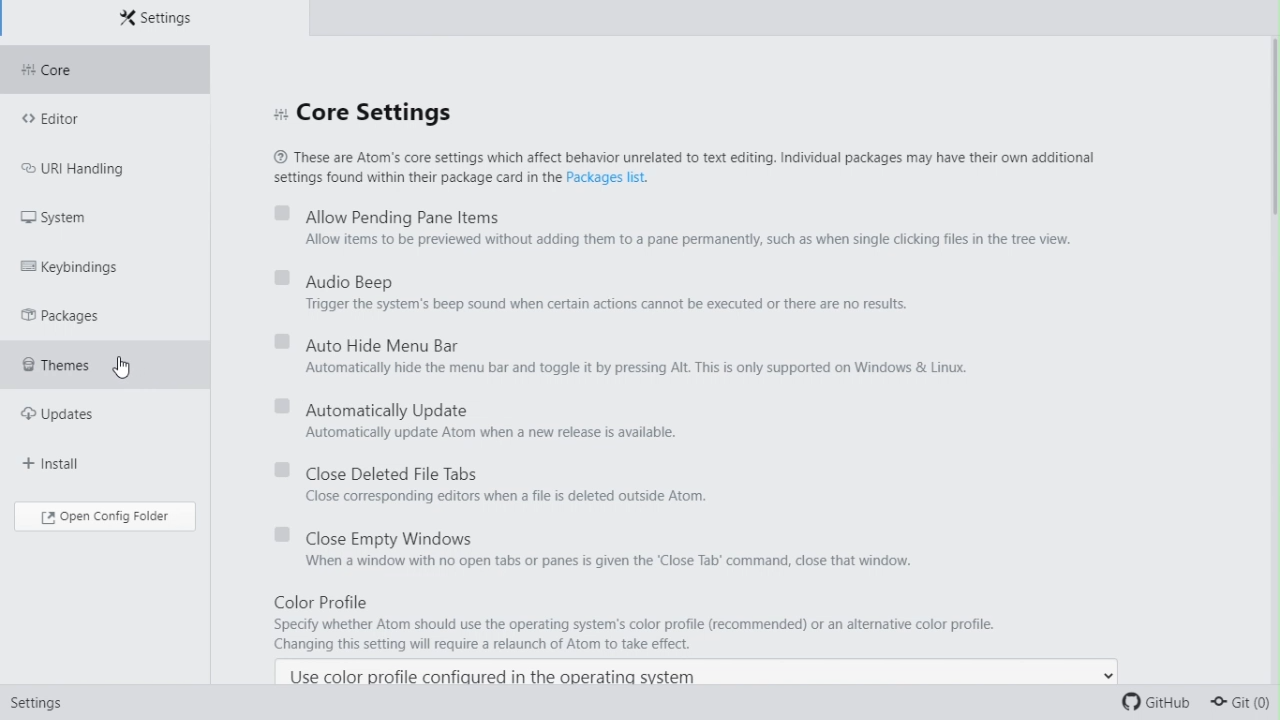  I want to click on Audio Beep, so click(589, 292).